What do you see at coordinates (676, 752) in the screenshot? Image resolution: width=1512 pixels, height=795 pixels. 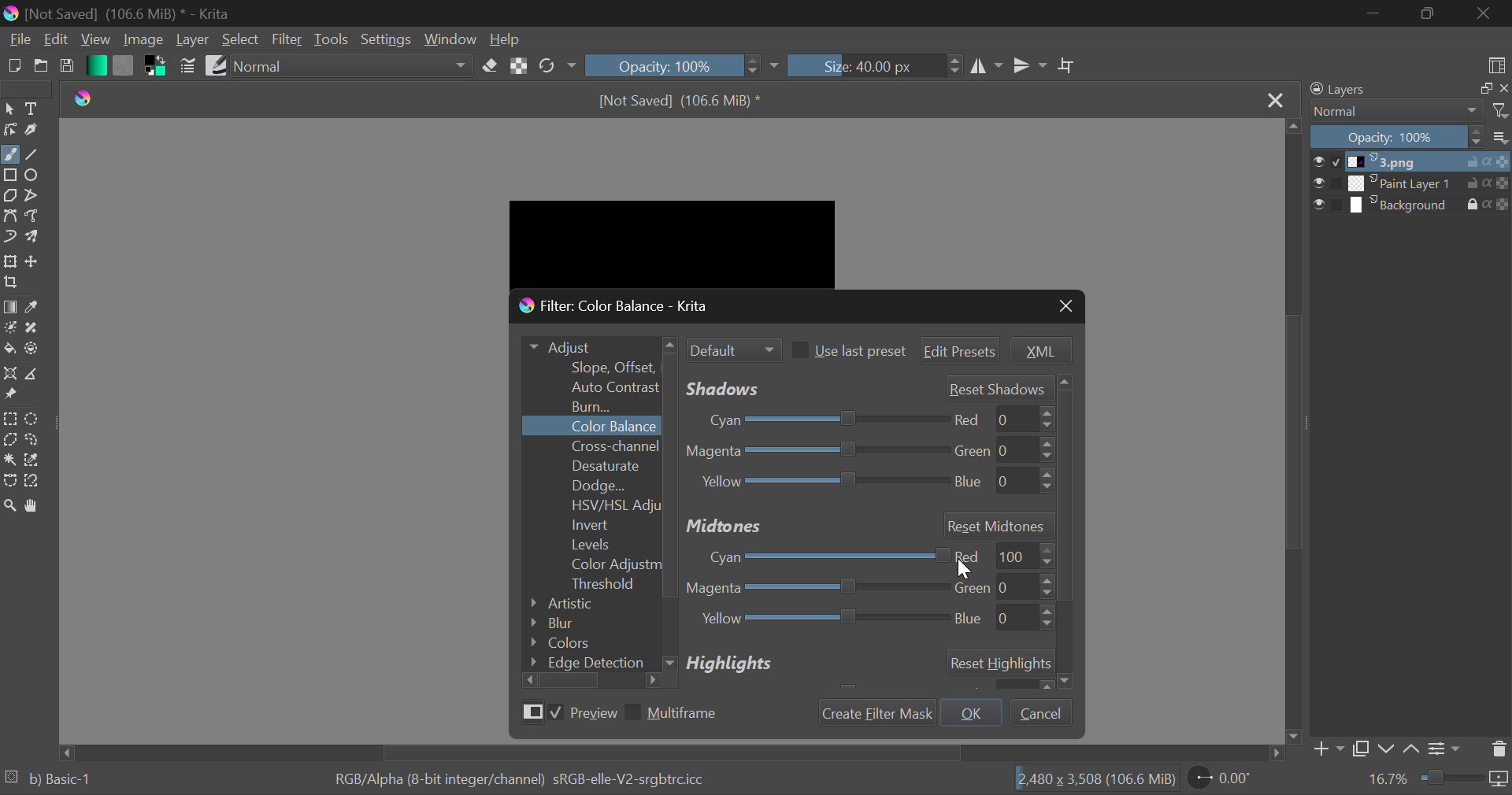 I see `Scroll Bar` at bounding box center [676, 752].